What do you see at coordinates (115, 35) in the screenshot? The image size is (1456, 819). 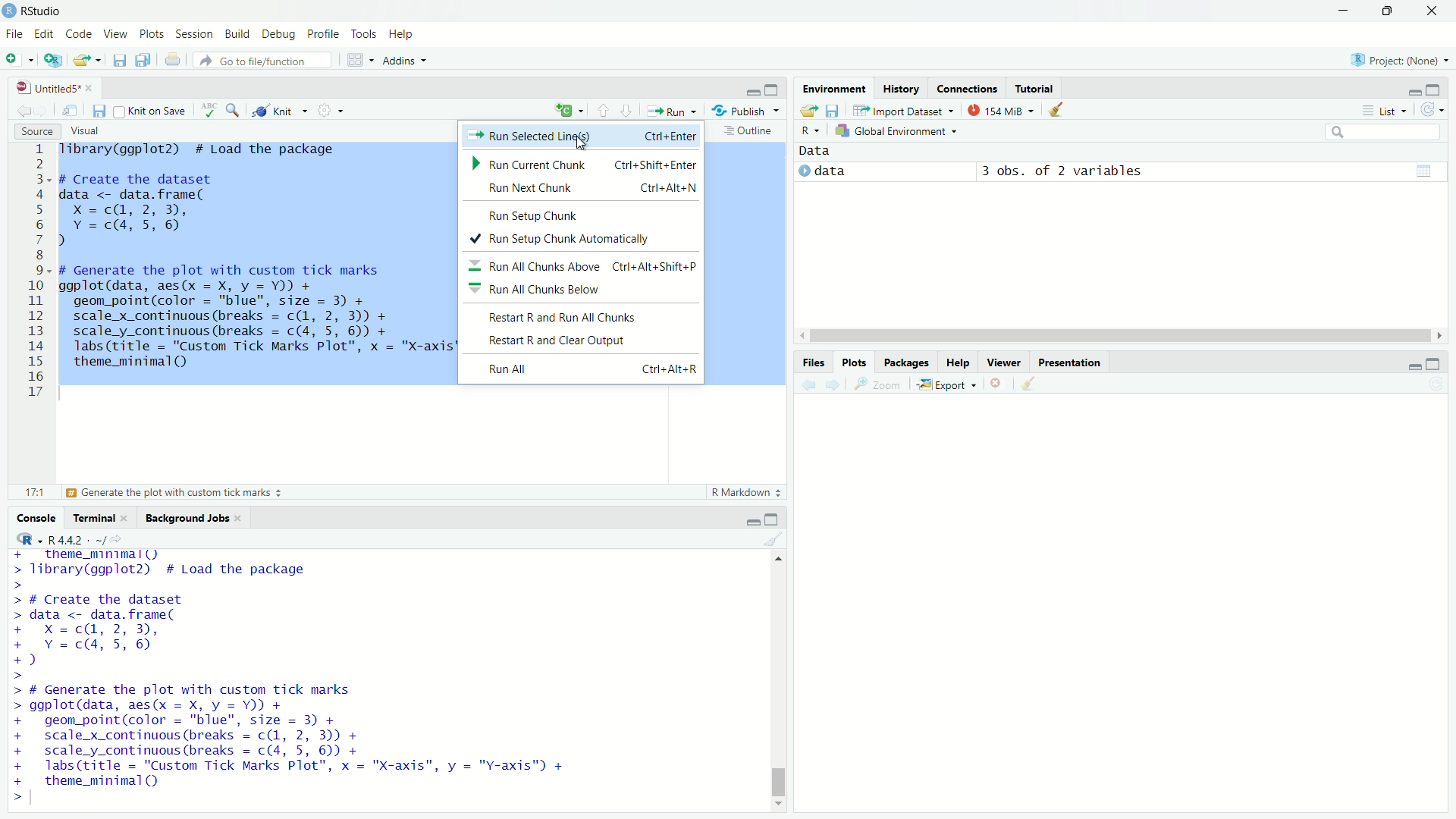 I see `view` at bounding box center [115, 35].